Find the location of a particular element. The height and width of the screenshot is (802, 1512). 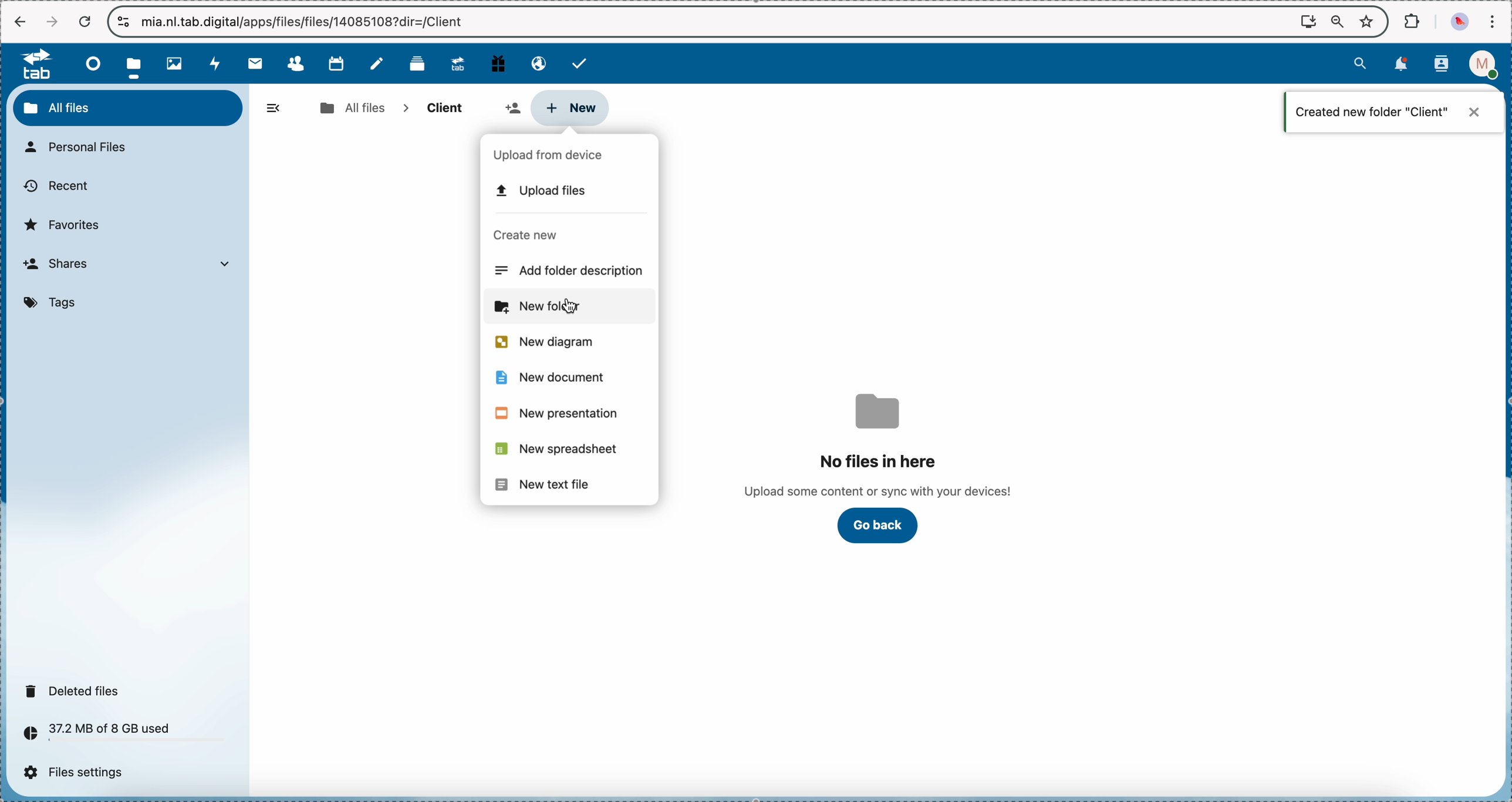

hide menu is located at coordinates (274, 109).